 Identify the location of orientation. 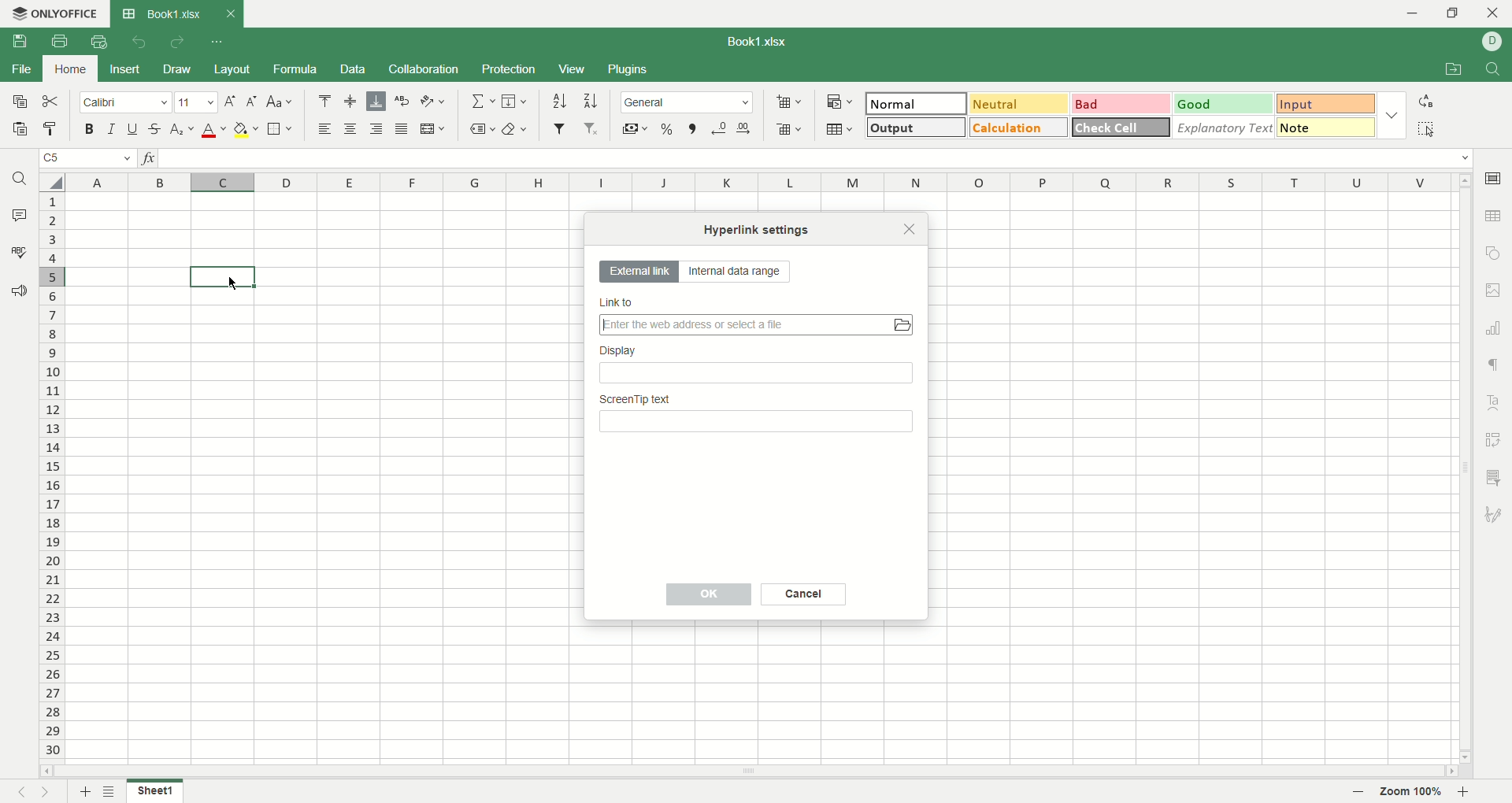
(433, 102).